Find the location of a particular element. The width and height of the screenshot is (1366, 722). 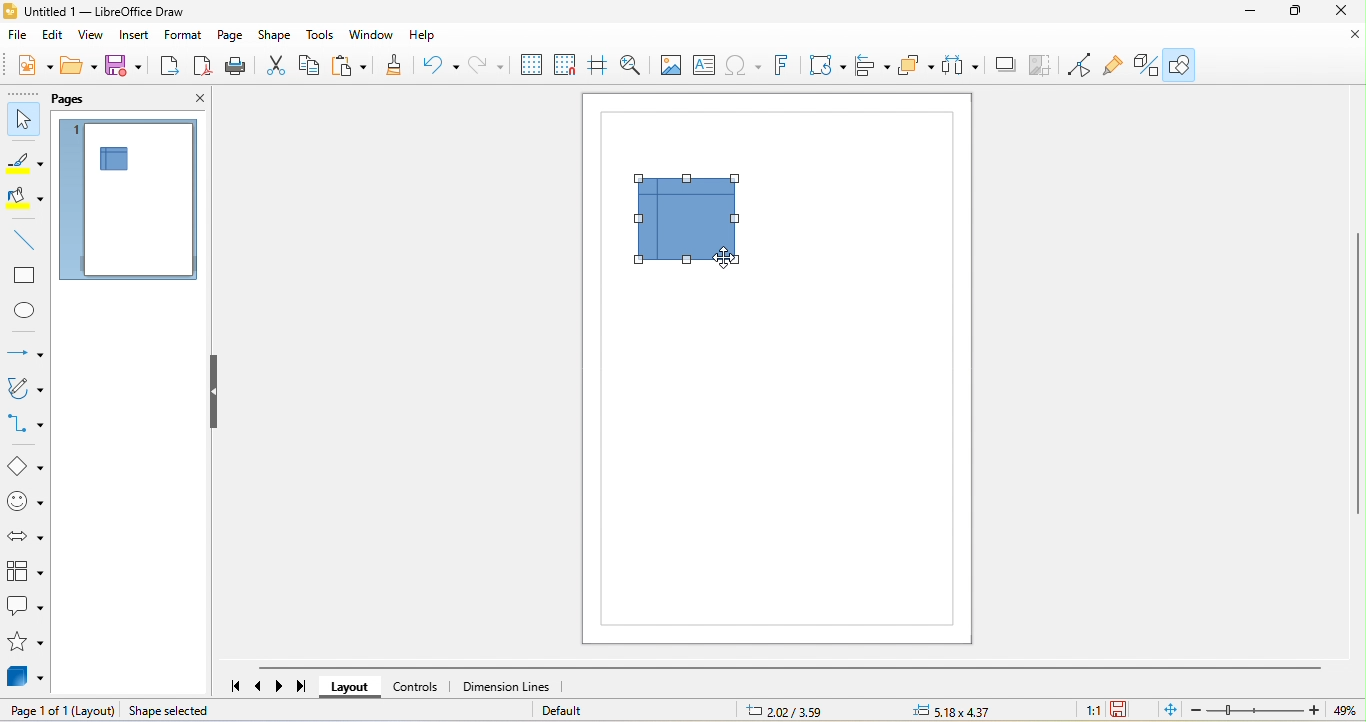

connectors is located at coordinates (26, 425).